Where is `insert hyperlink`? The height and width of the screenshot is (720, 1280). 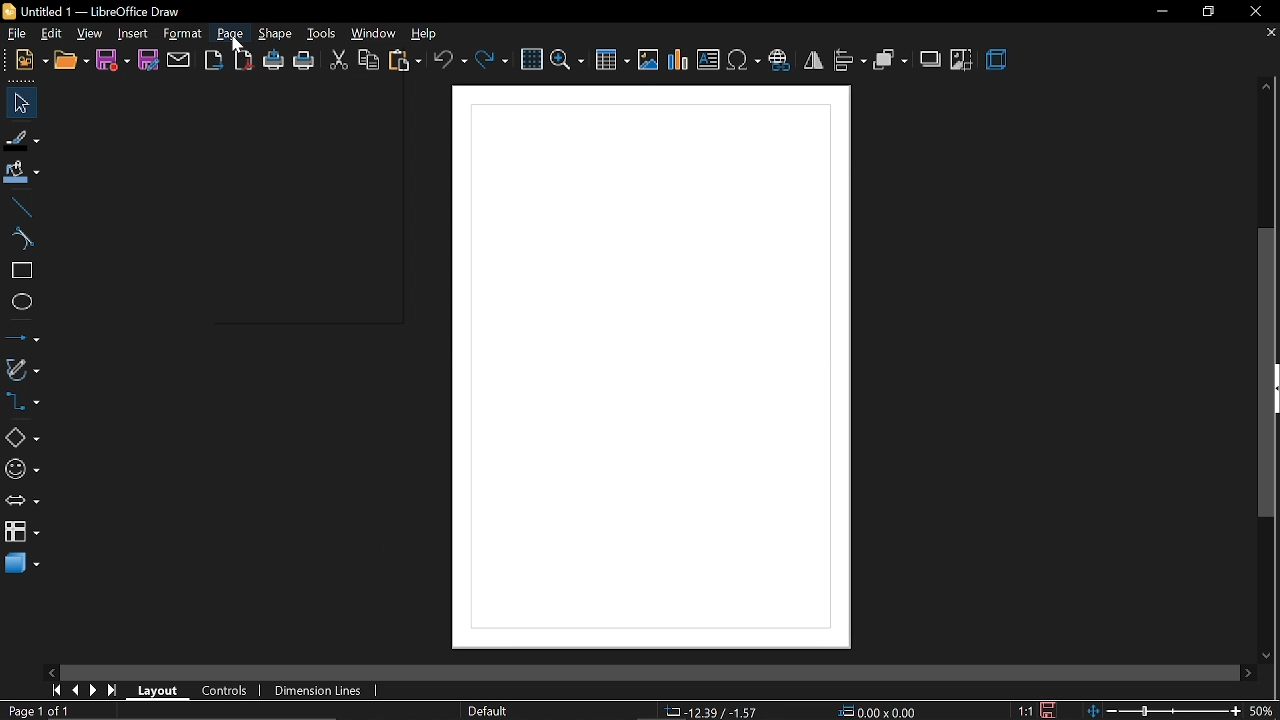 insert hyperlink is located at coordinates (782, 59).